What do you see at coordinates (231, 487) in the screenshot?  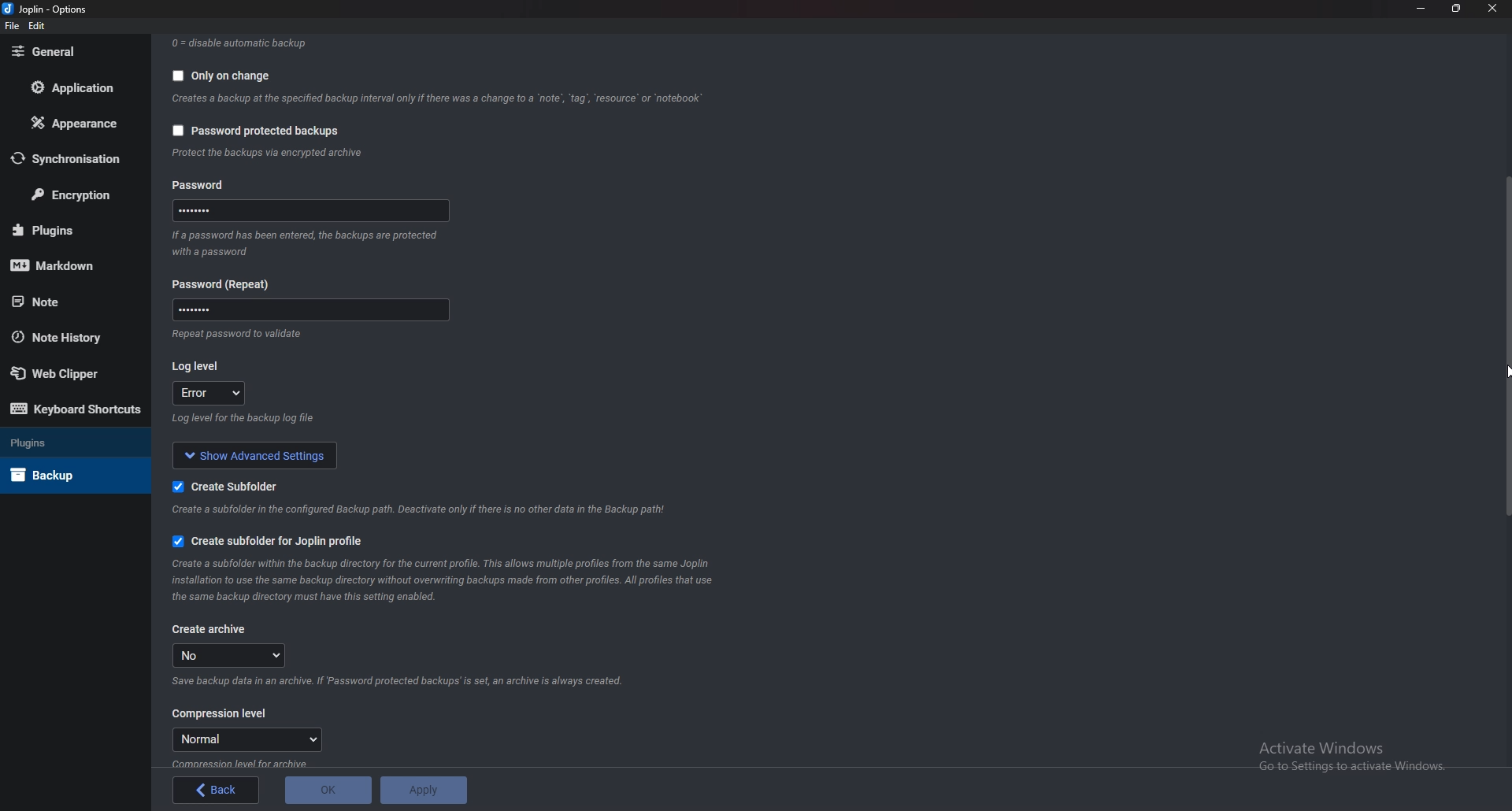 I see `Create sub folder` at bounding box center [231, 487].